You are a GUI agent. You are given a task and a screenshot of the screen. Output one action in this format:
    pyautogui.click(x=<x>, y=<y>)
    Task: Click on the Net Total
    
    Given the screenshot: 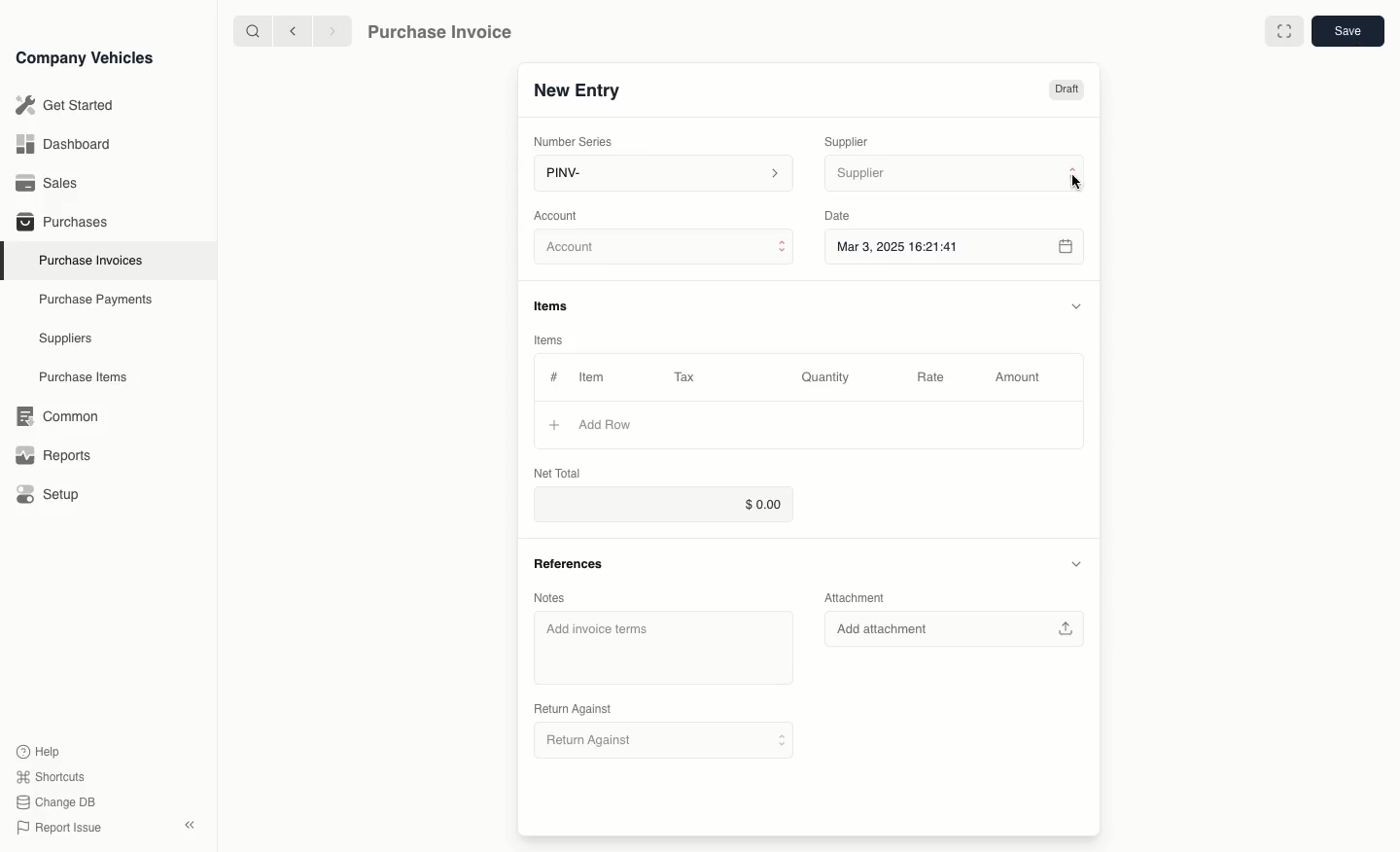 What is the action you would take?
    pyautogui.click(x=557, y=475)
    